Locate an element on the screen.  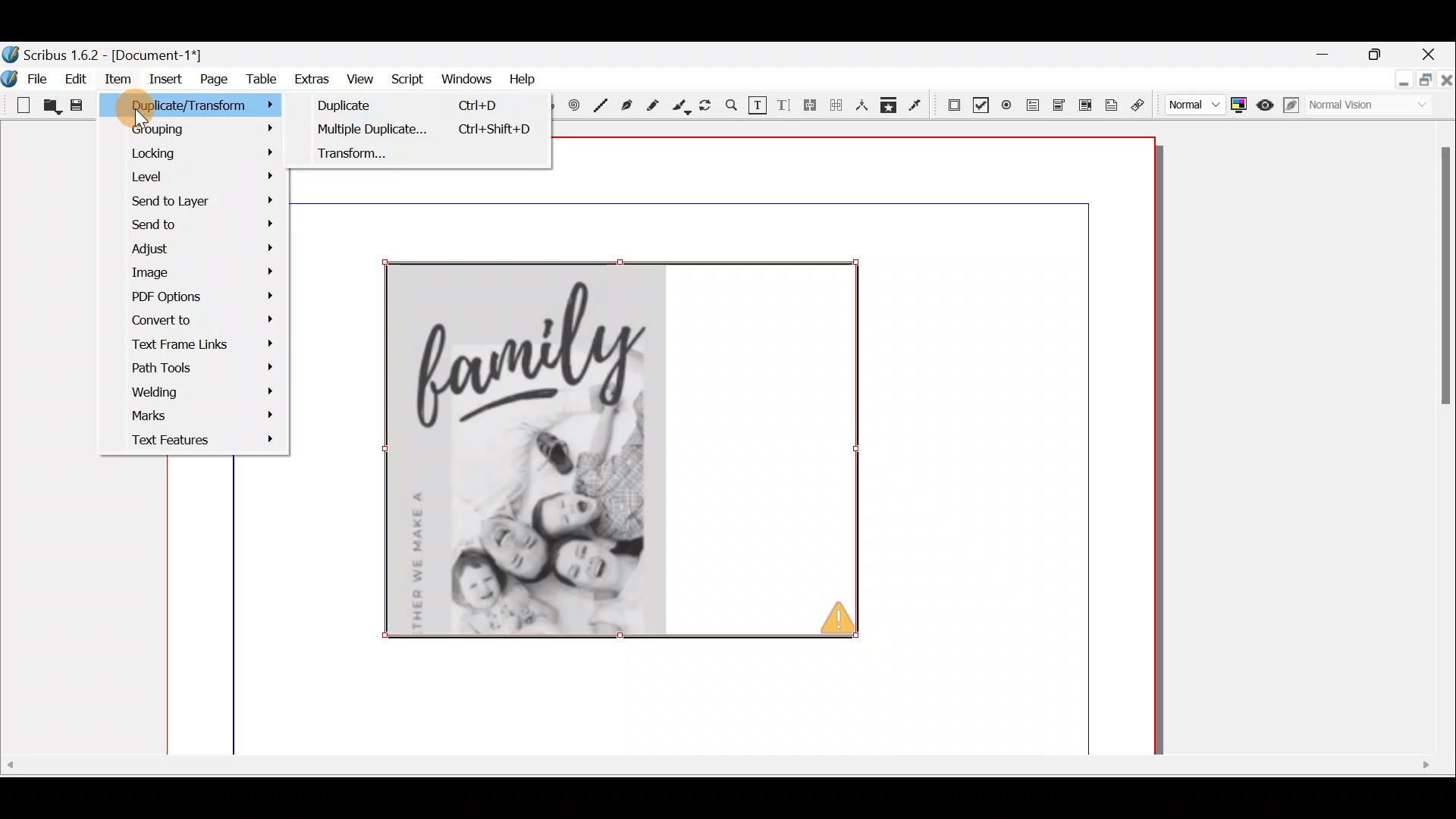
Adjust is located at coordinates (207, 250).